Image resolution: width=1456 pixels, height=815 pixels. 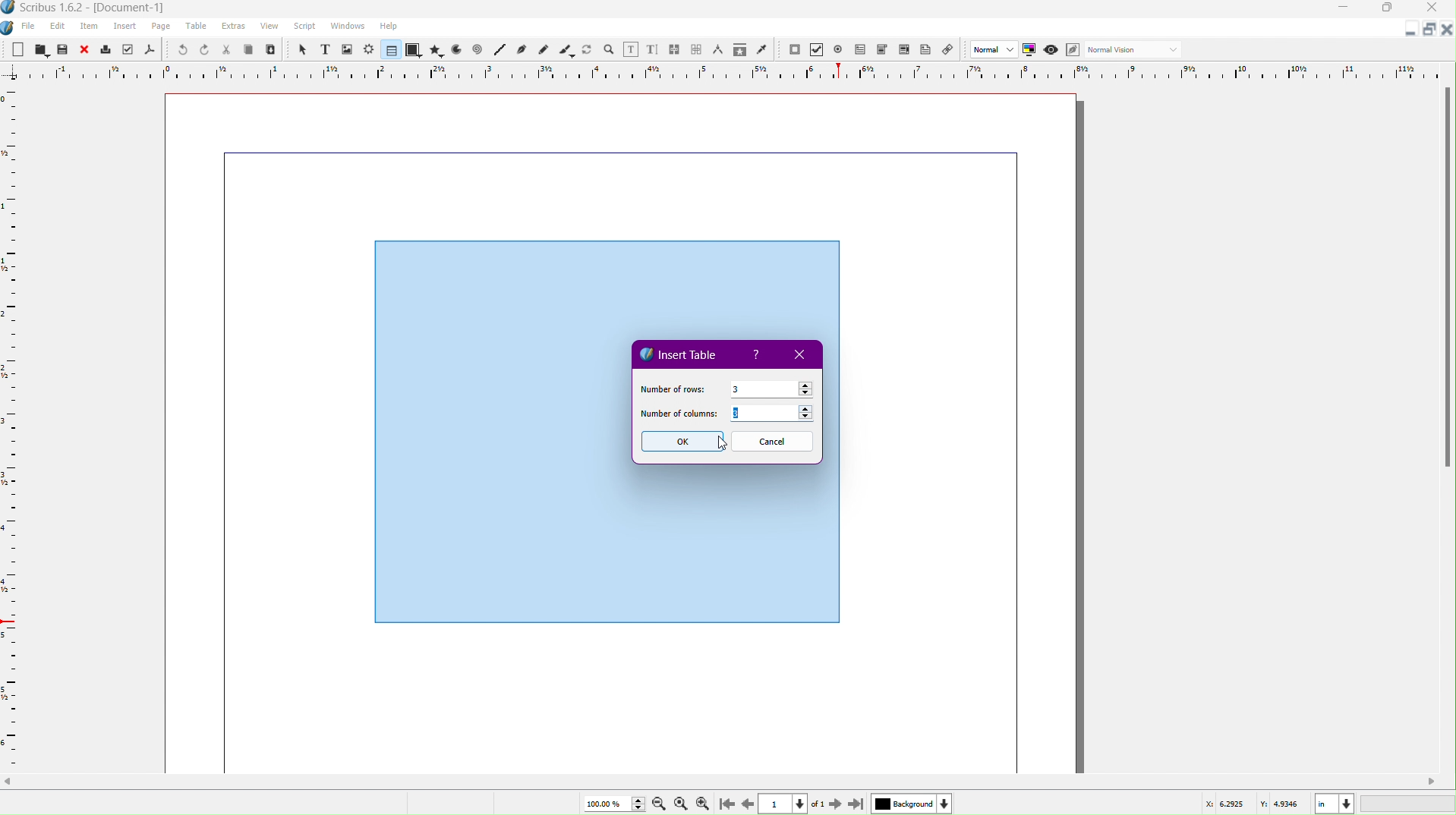 What do you see at coordinates (697, 49) in the screenshot?
I see `Unlink Text Frames` at bounding box center [697, 49].